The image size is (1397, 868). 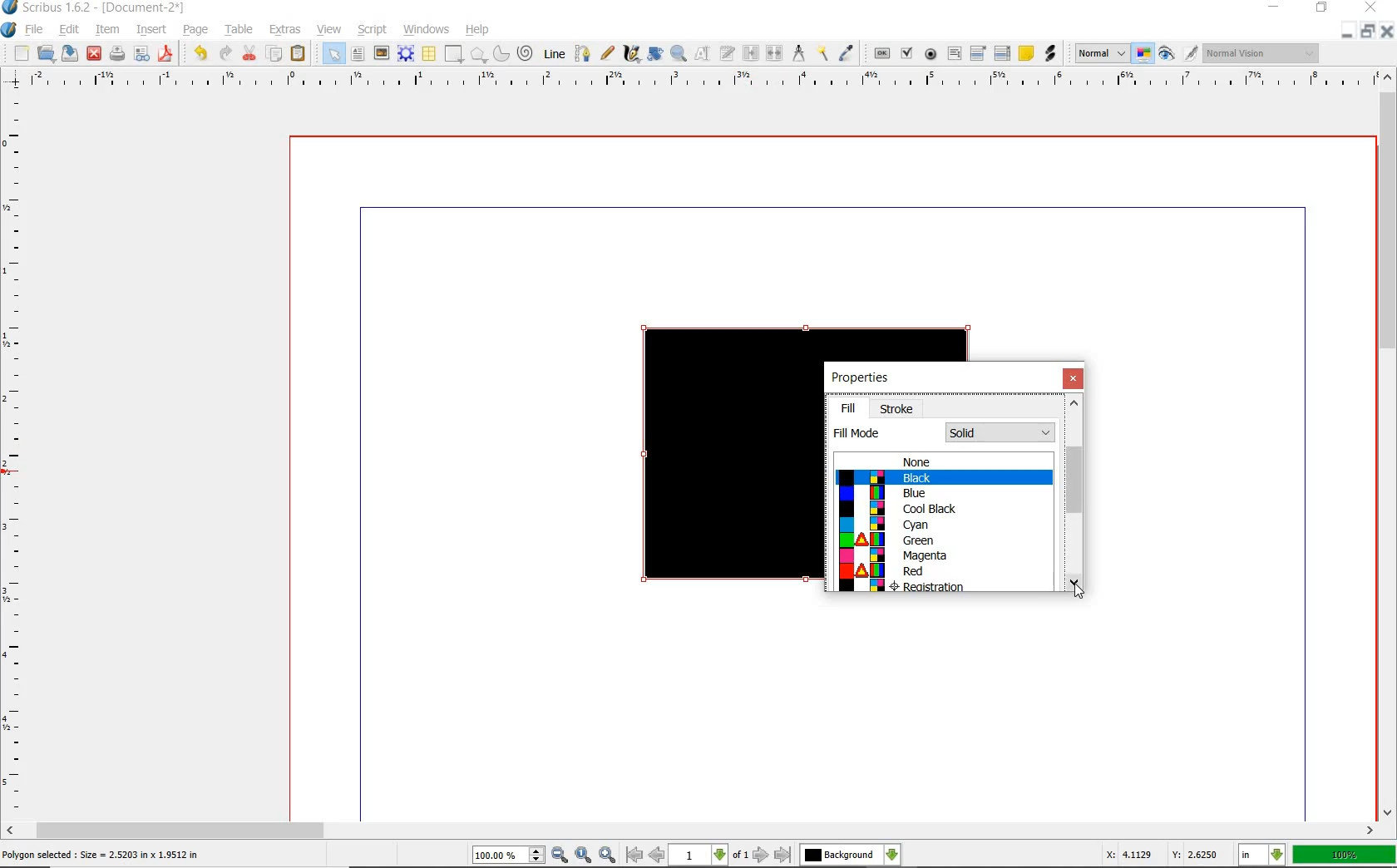 I want to click on arc, so click(x=501, y=55).